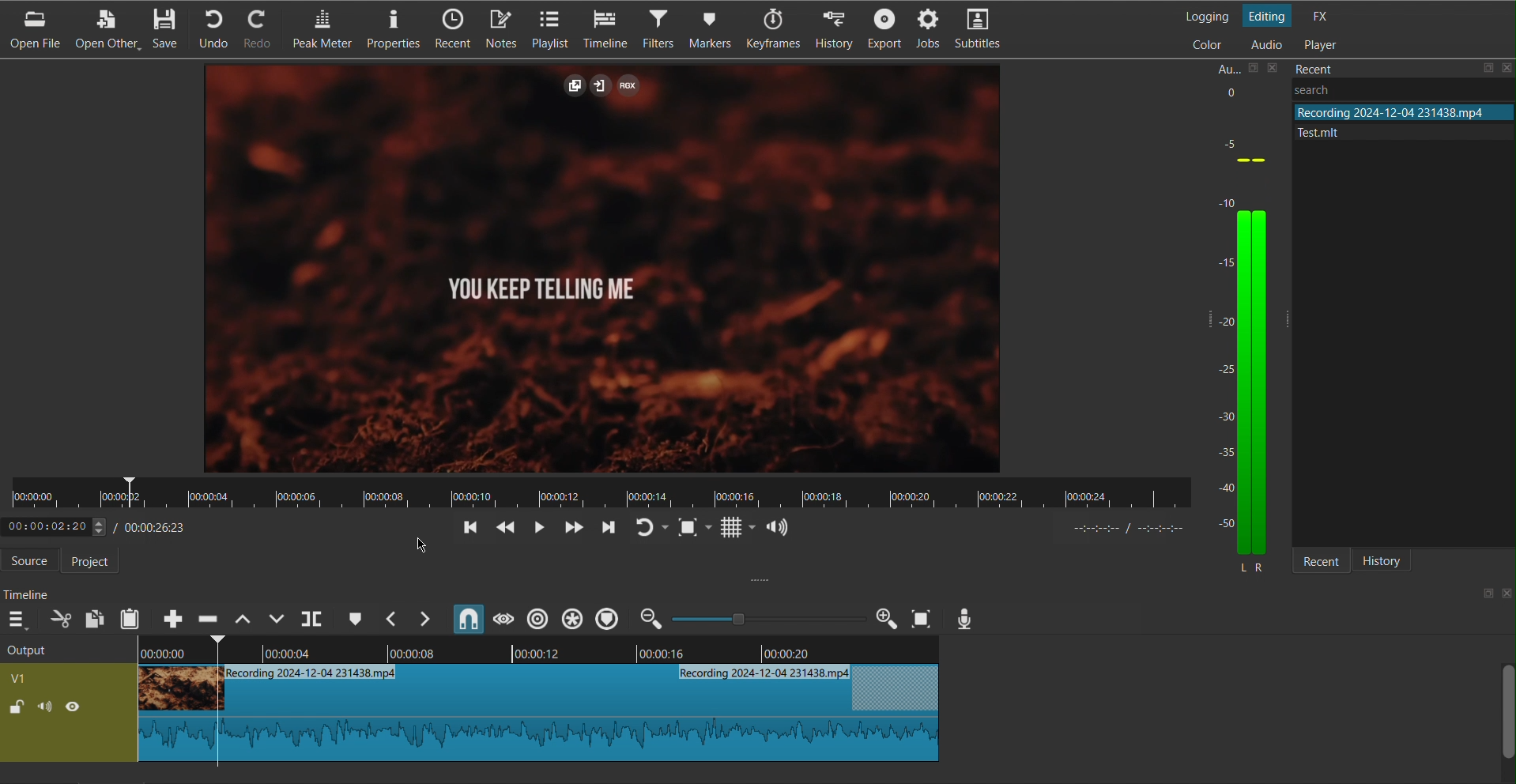 The height and width of the screenshot is (784, 1516). I want to click on Copy, so click(95, 617).